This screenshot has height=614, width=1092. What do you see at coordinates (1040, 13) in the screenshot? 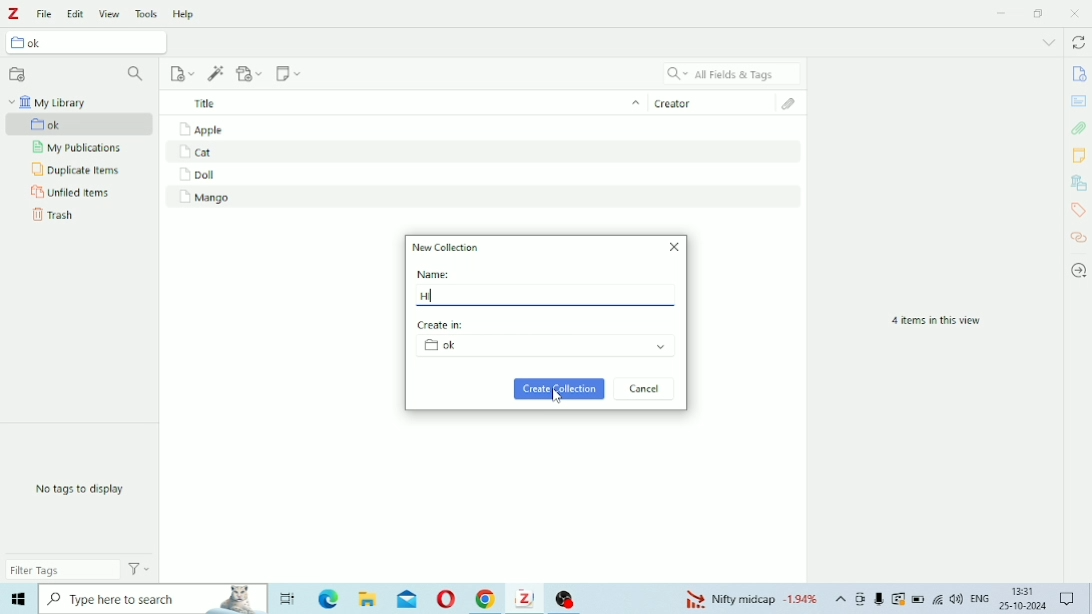
I see `Restore down` at bounding box center [1040, 13].